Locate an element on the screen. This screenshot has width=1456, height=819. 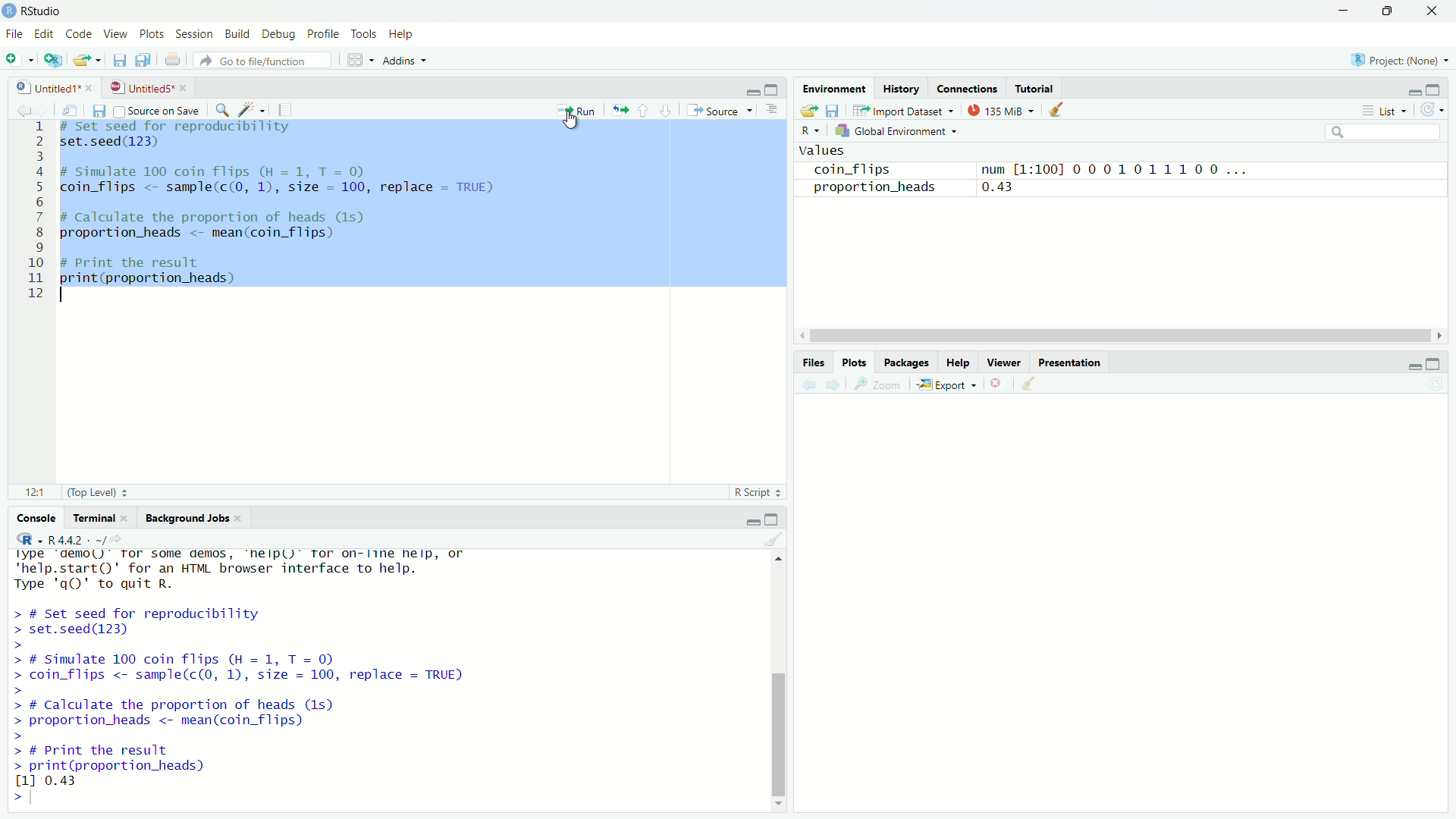
profile is located at coordinates (325, 33).